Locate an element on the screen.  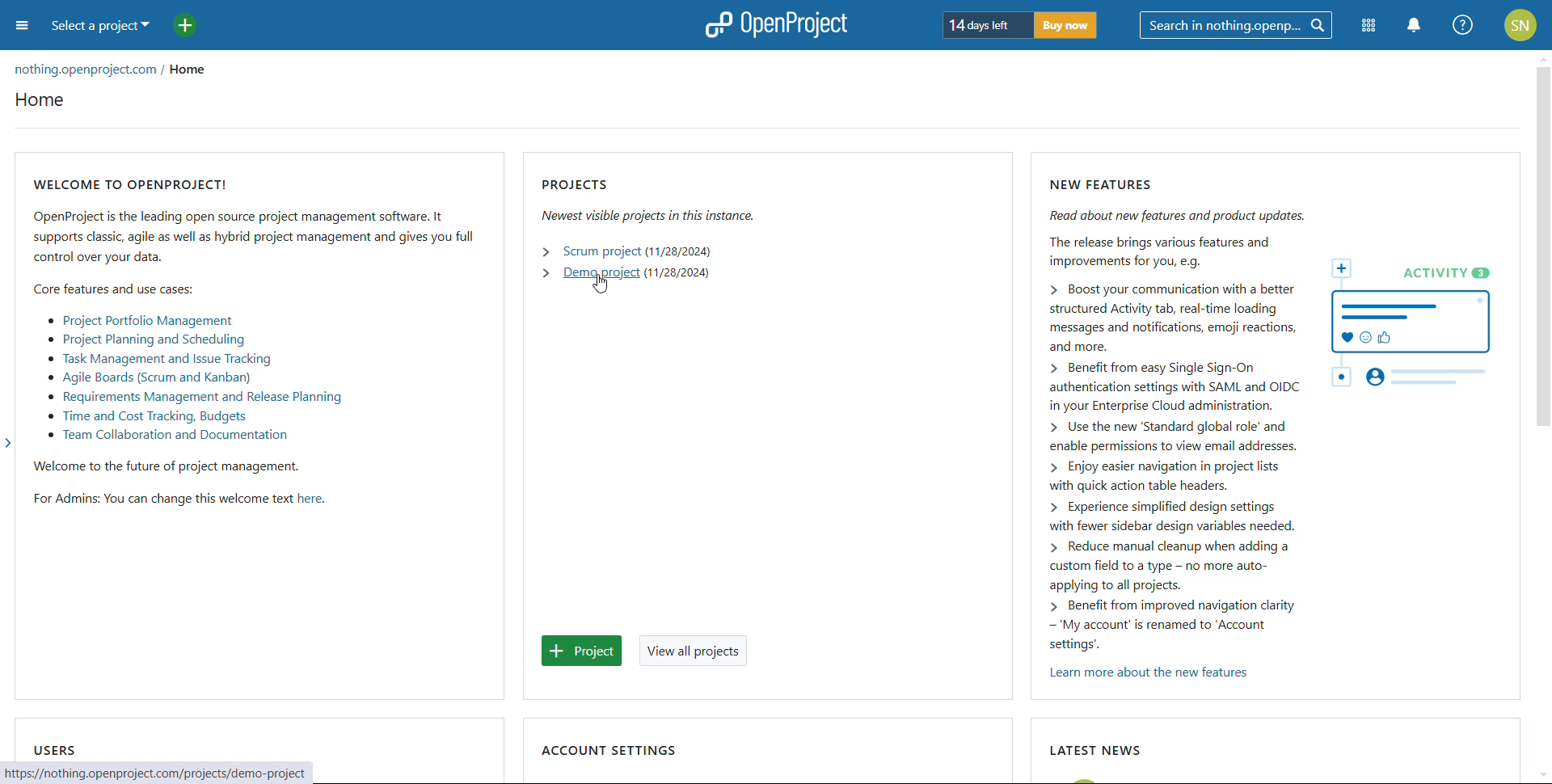
Read about new features and product updates. is located at coordinates (1179, 217).